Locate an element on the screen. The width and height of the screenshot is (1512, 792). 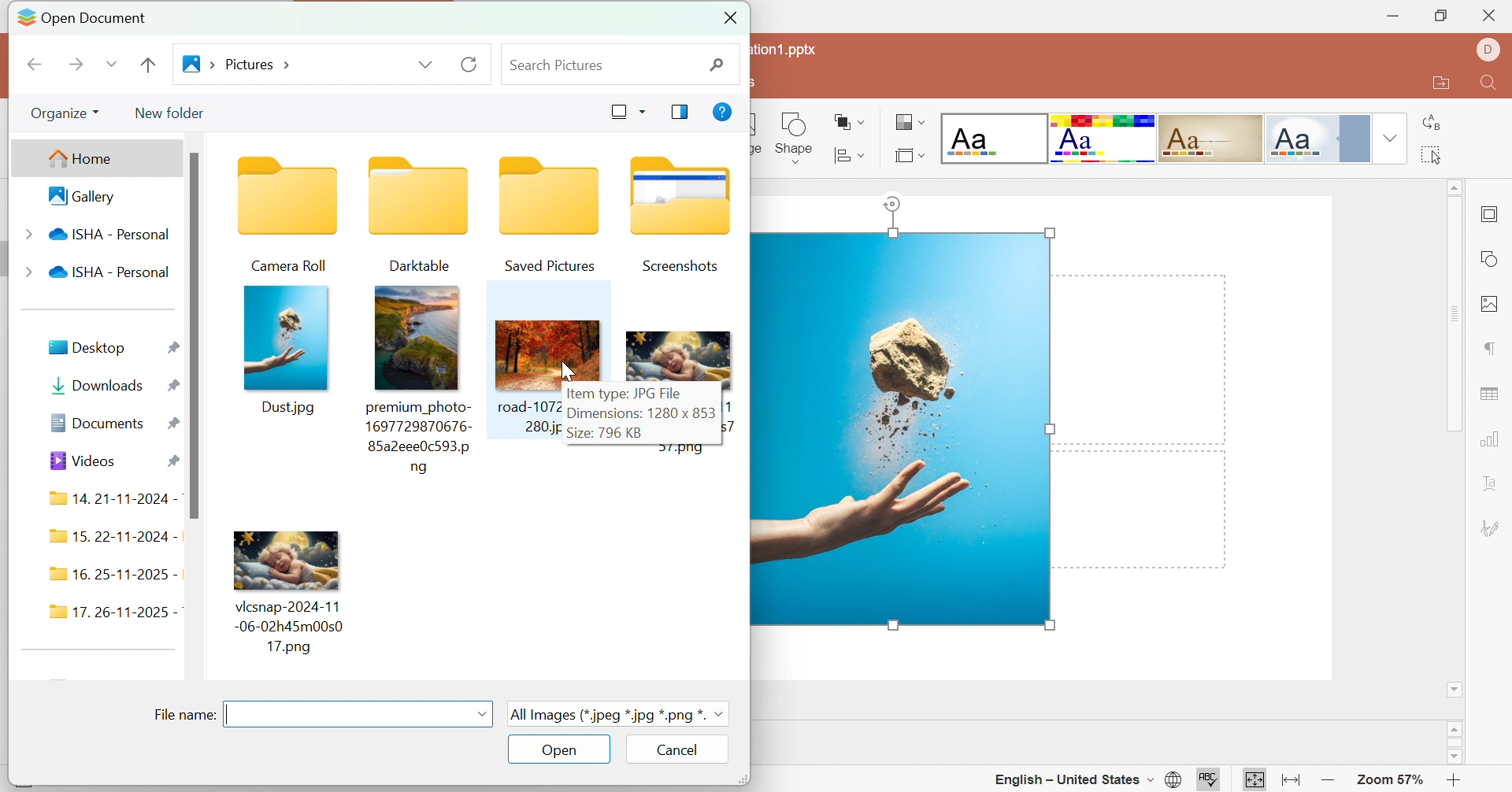
Pinned is located at coordinates (173, 385).